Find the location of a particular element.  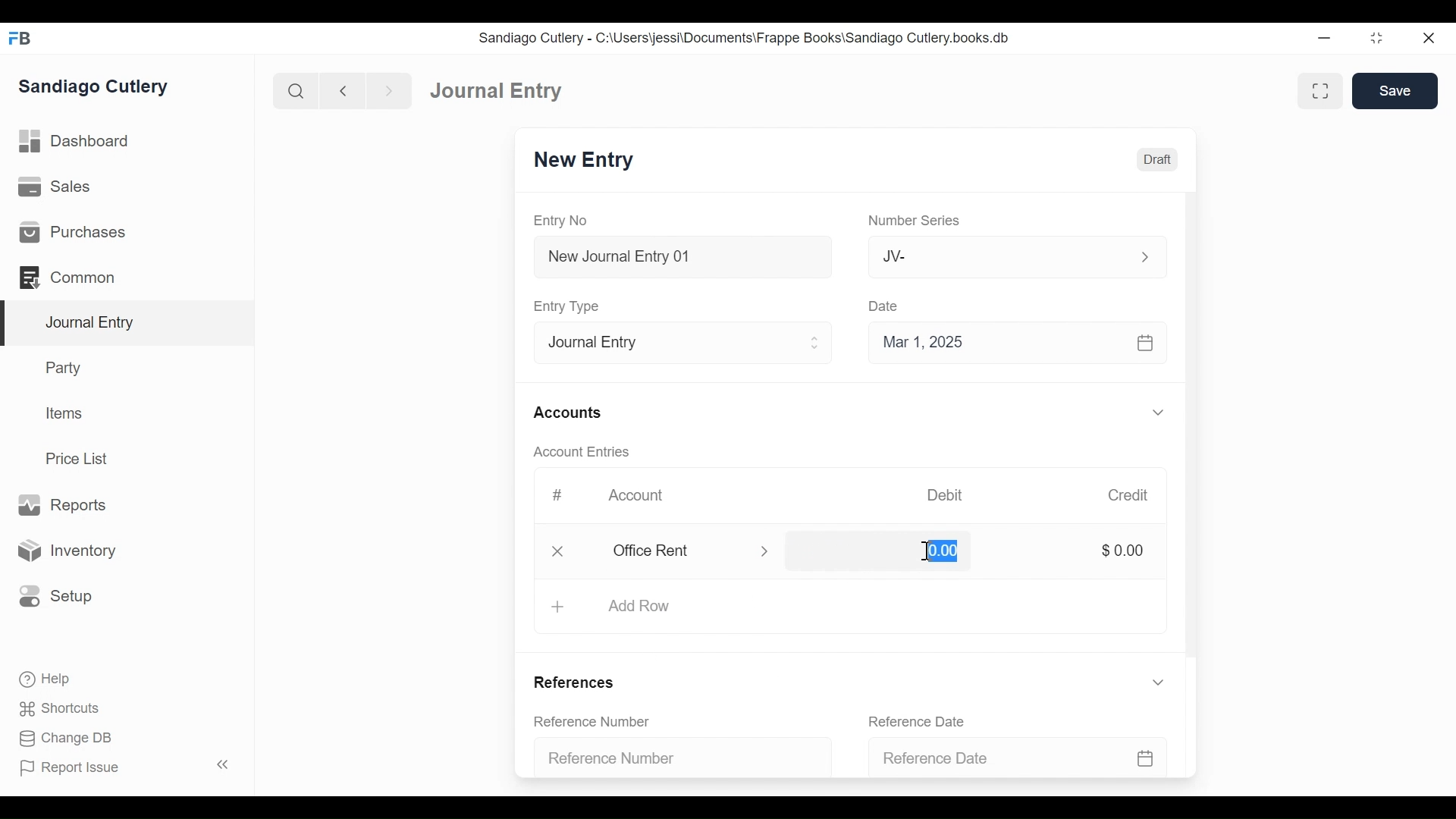

scrollbar is located at coordinates (1190, 426).